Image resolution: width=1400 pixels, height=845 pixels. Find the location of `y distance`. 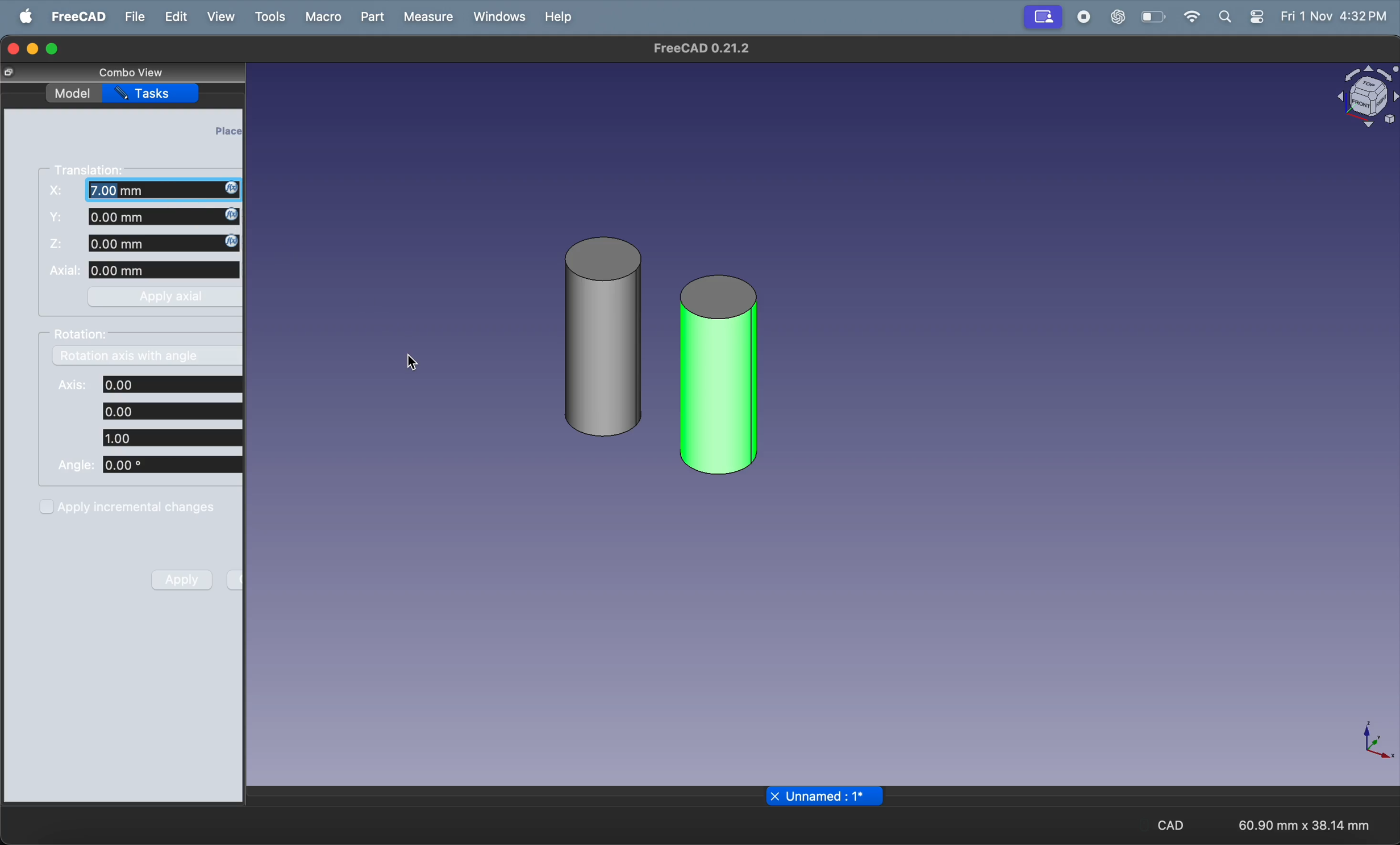

y distance is located at coordinates (162, 216).